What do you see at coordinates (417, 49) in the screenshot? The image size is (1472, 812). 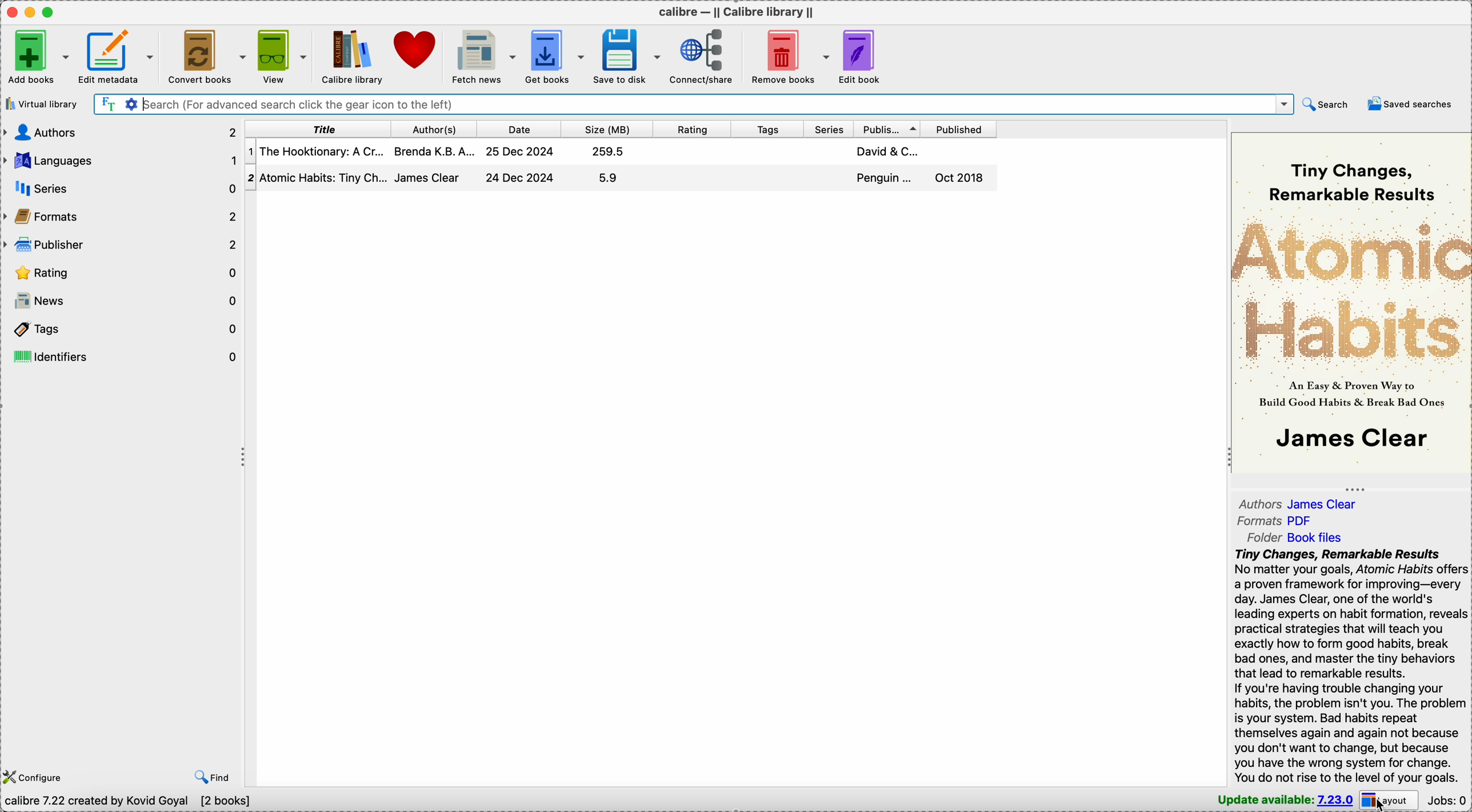 I see `donate` at bounding box center [417, 49].